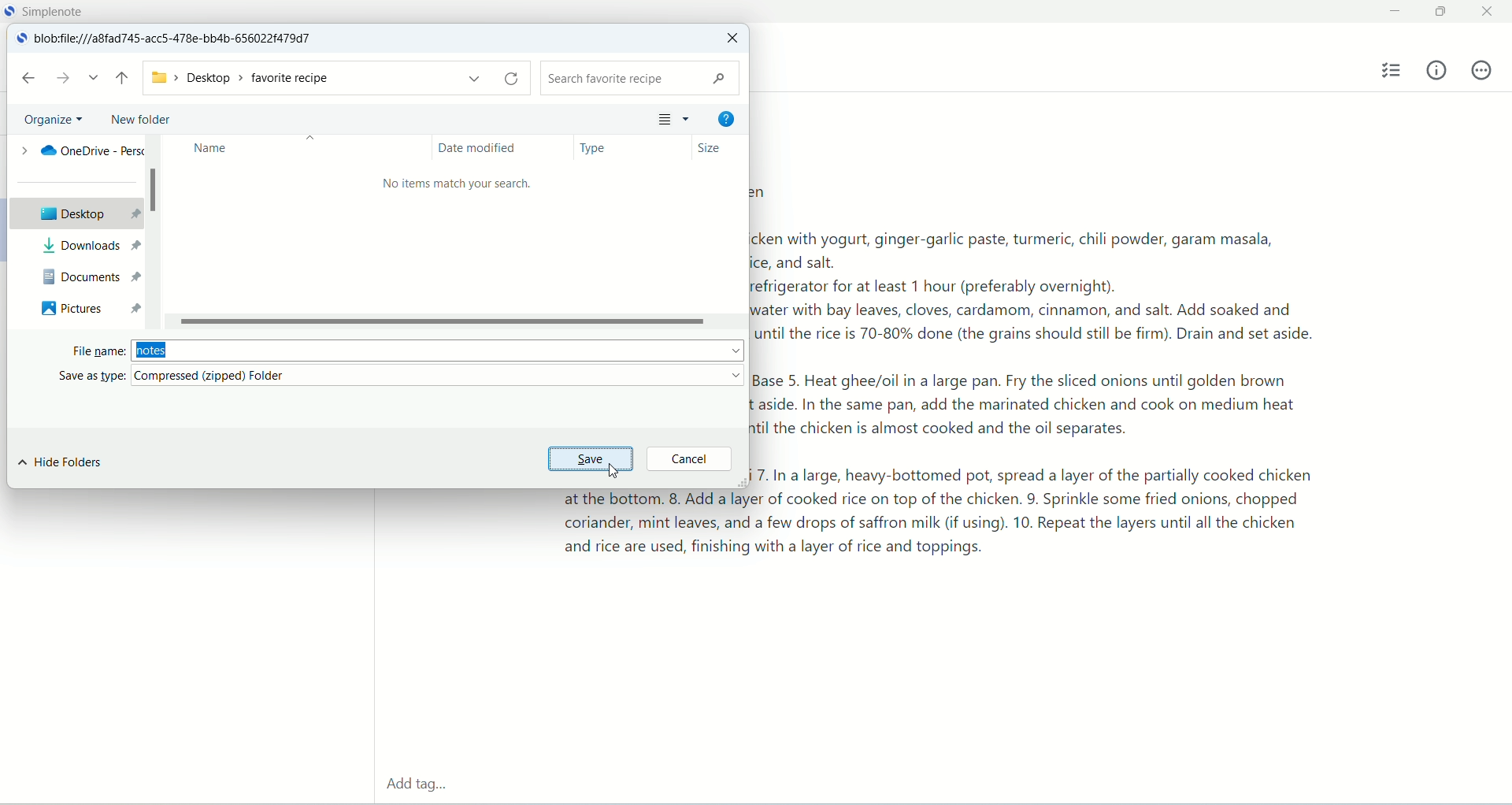  I want to click on upto, so click(124, 80).